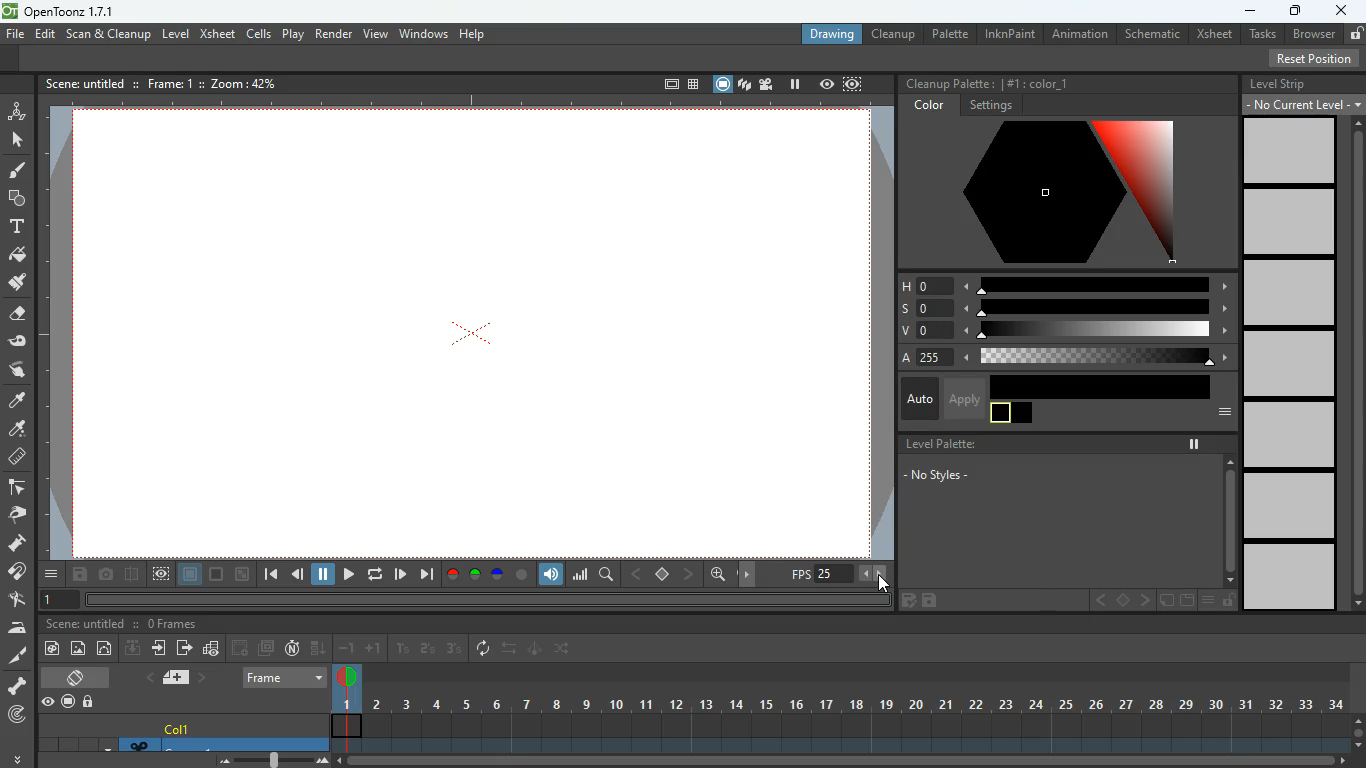 The height and width of the screenshot is (768, 1366). I want to click on paint, so click(16, 173).